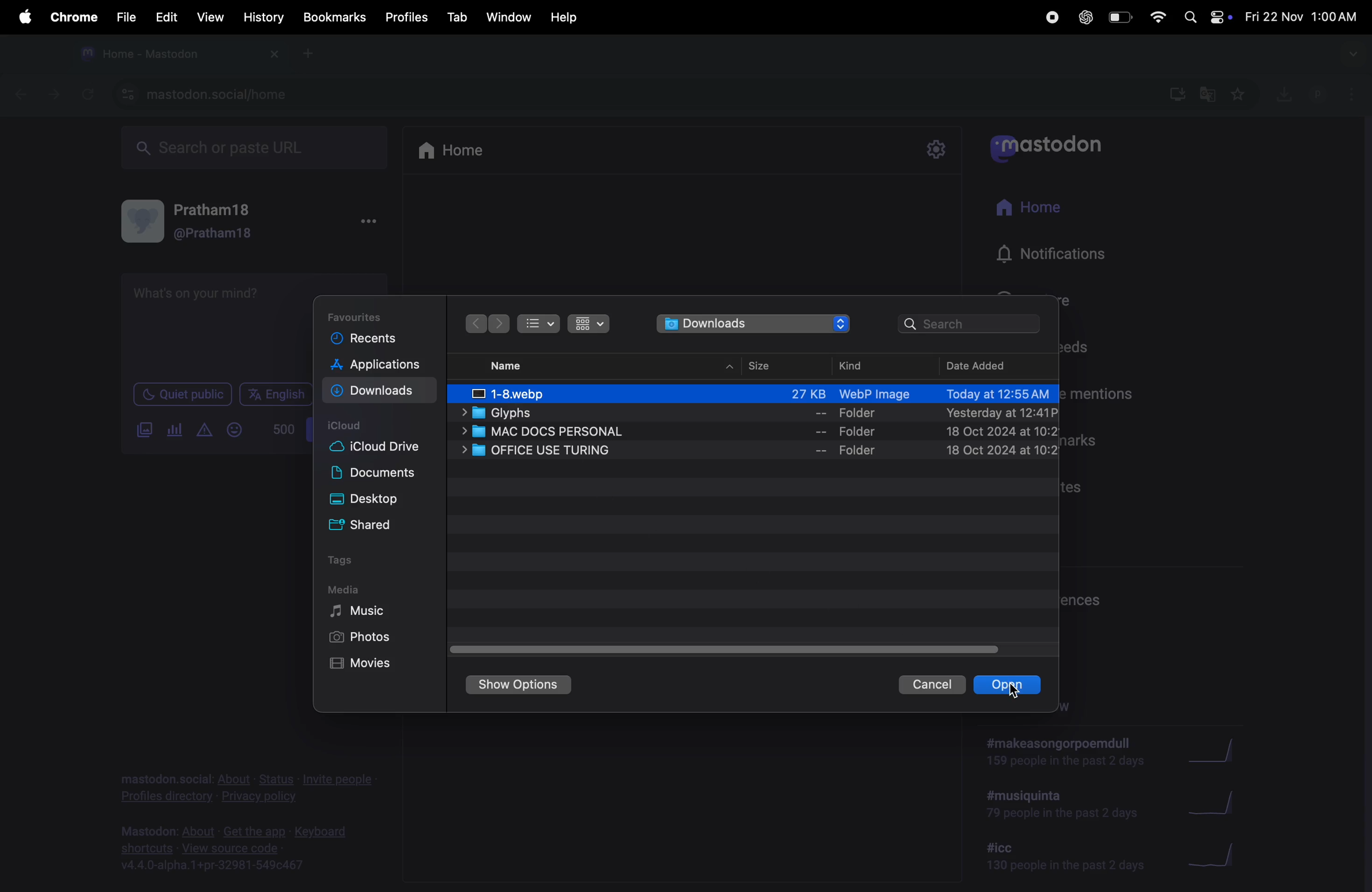 Image resolution: width=1372 pixels, height=892 pixels. Describe the element at coordinates (1009, 685) in the screenshot. I see `open` at that location.